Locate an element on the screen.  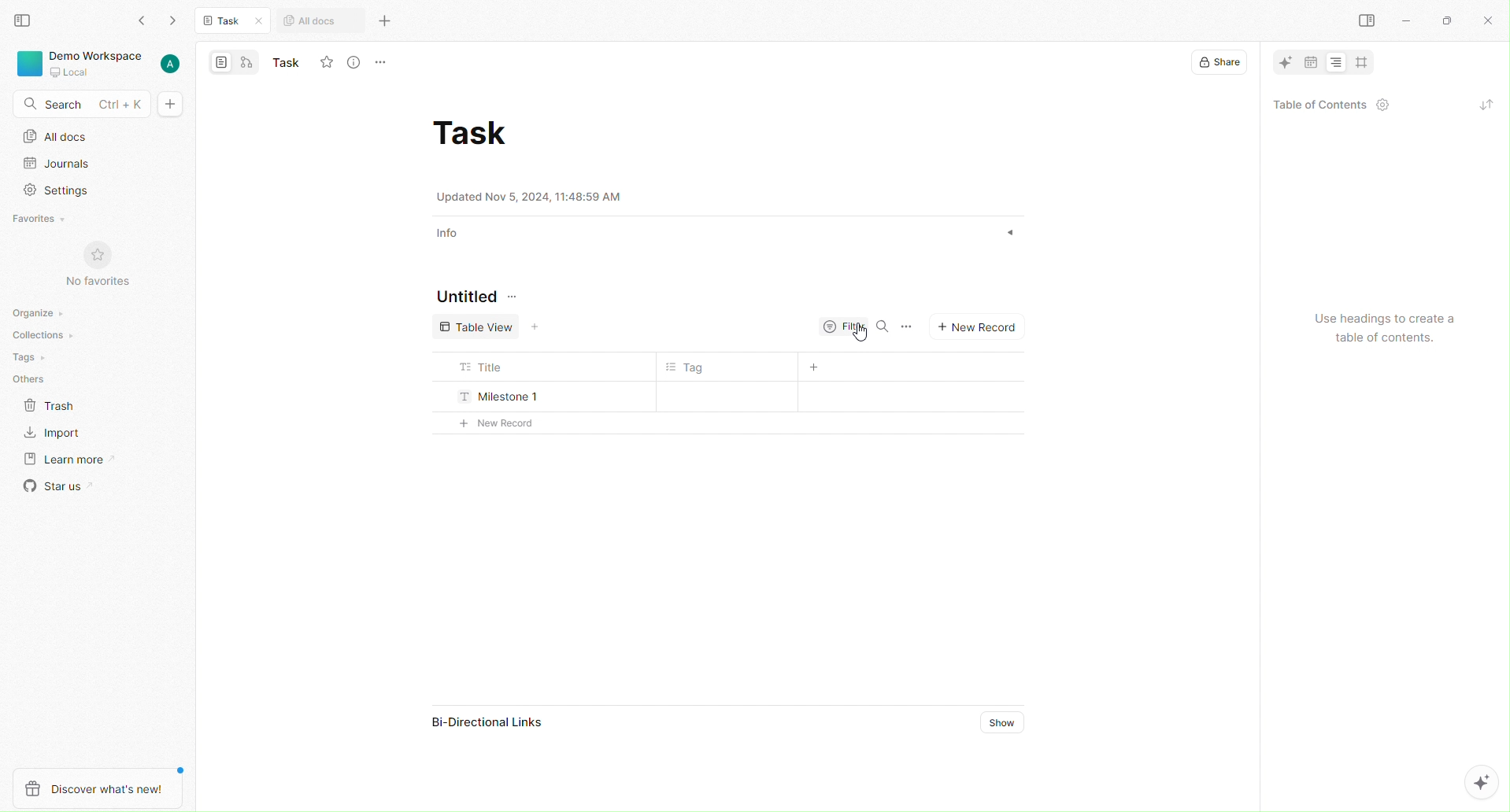
Fav is located at coordinates (326, 62).